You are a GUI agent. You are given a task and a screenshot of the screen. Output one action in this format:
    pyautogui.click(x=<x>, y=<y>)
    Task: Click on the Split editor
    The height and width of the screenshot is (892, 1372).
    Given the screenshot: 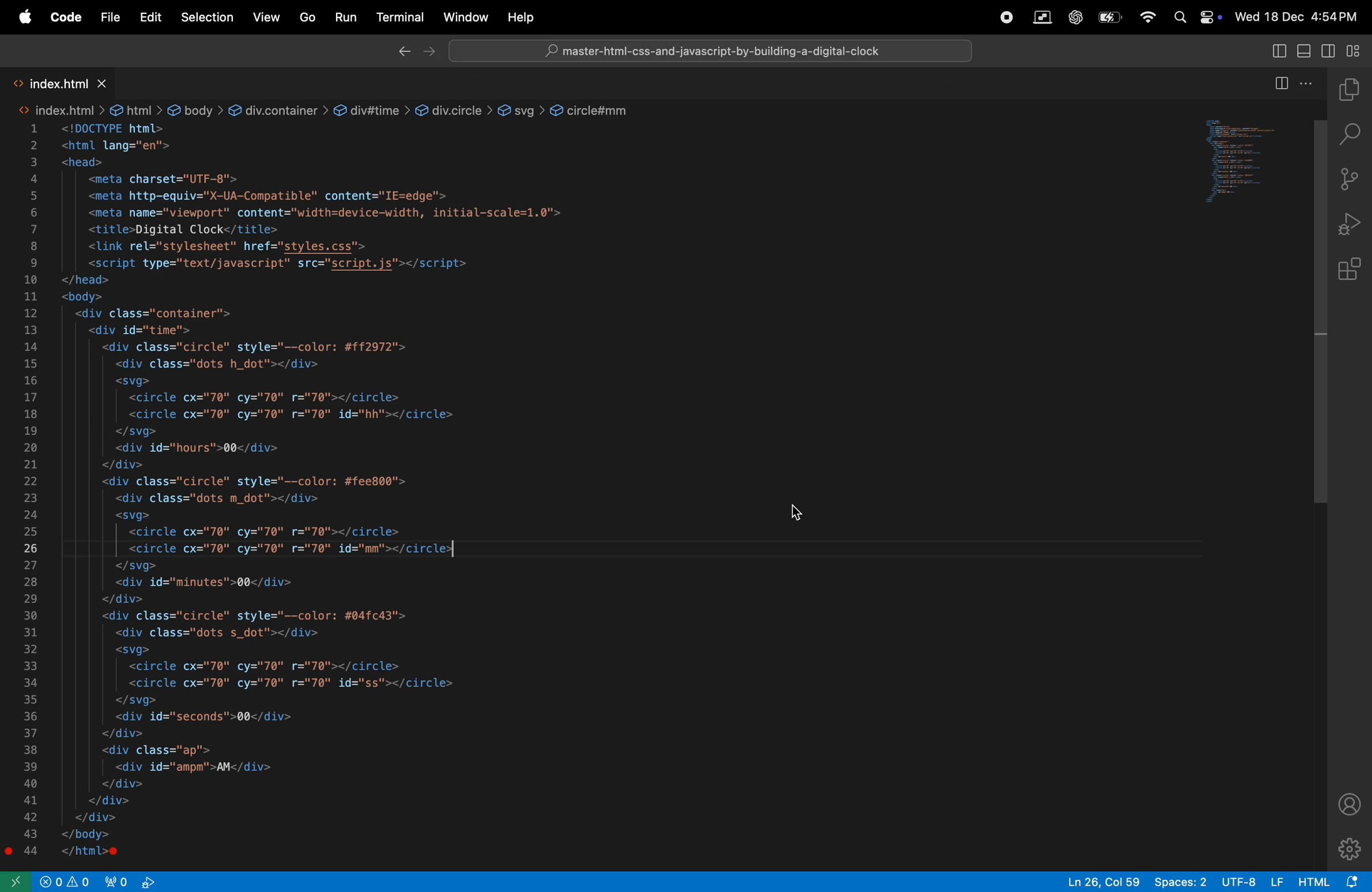 What is the action you would take?
    pyautogui.click(x=1279, y=88)
    